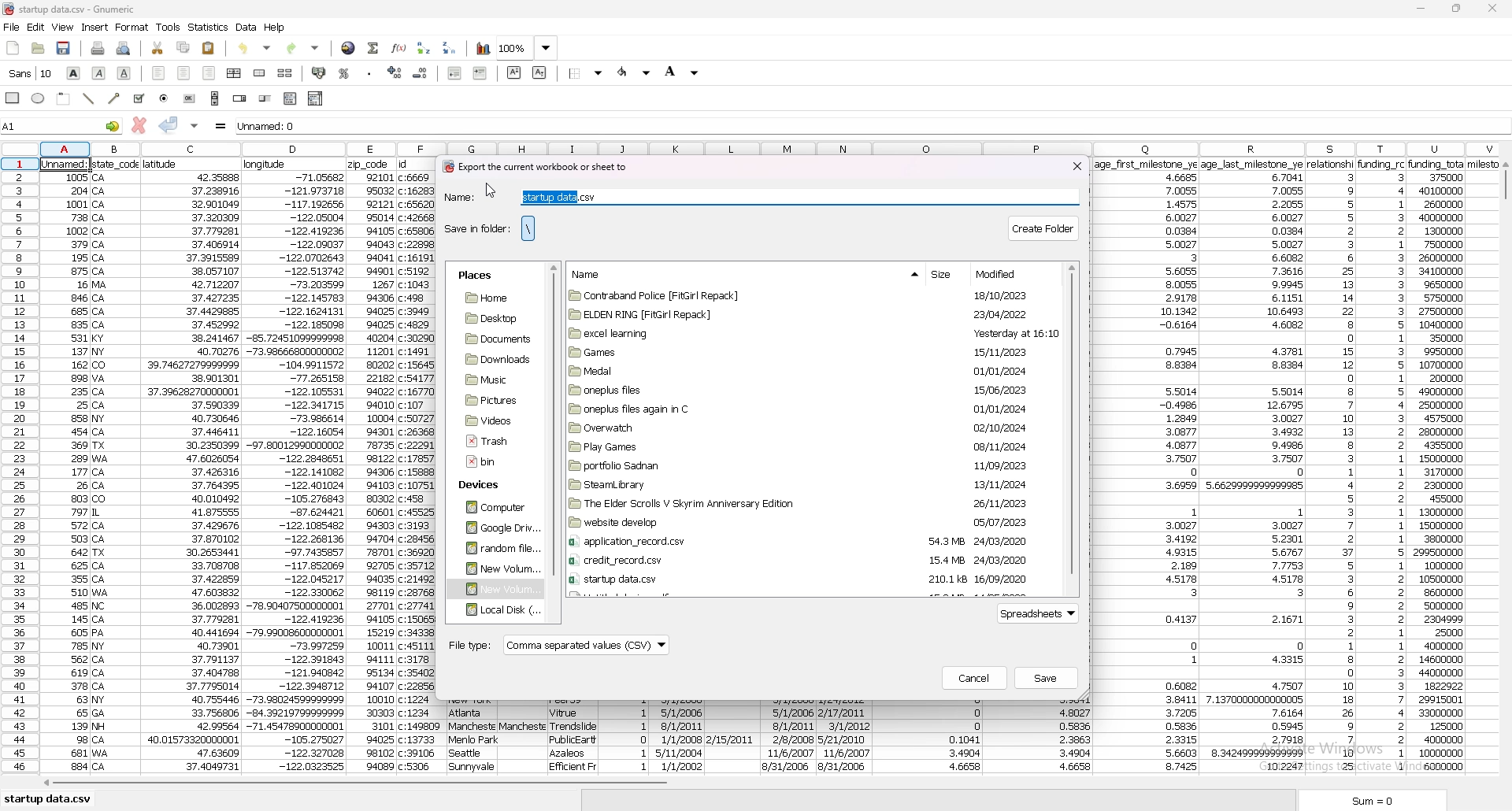 The height and width of the screenshot is (811, 1512). I want to click on formula, so click(221, 126).